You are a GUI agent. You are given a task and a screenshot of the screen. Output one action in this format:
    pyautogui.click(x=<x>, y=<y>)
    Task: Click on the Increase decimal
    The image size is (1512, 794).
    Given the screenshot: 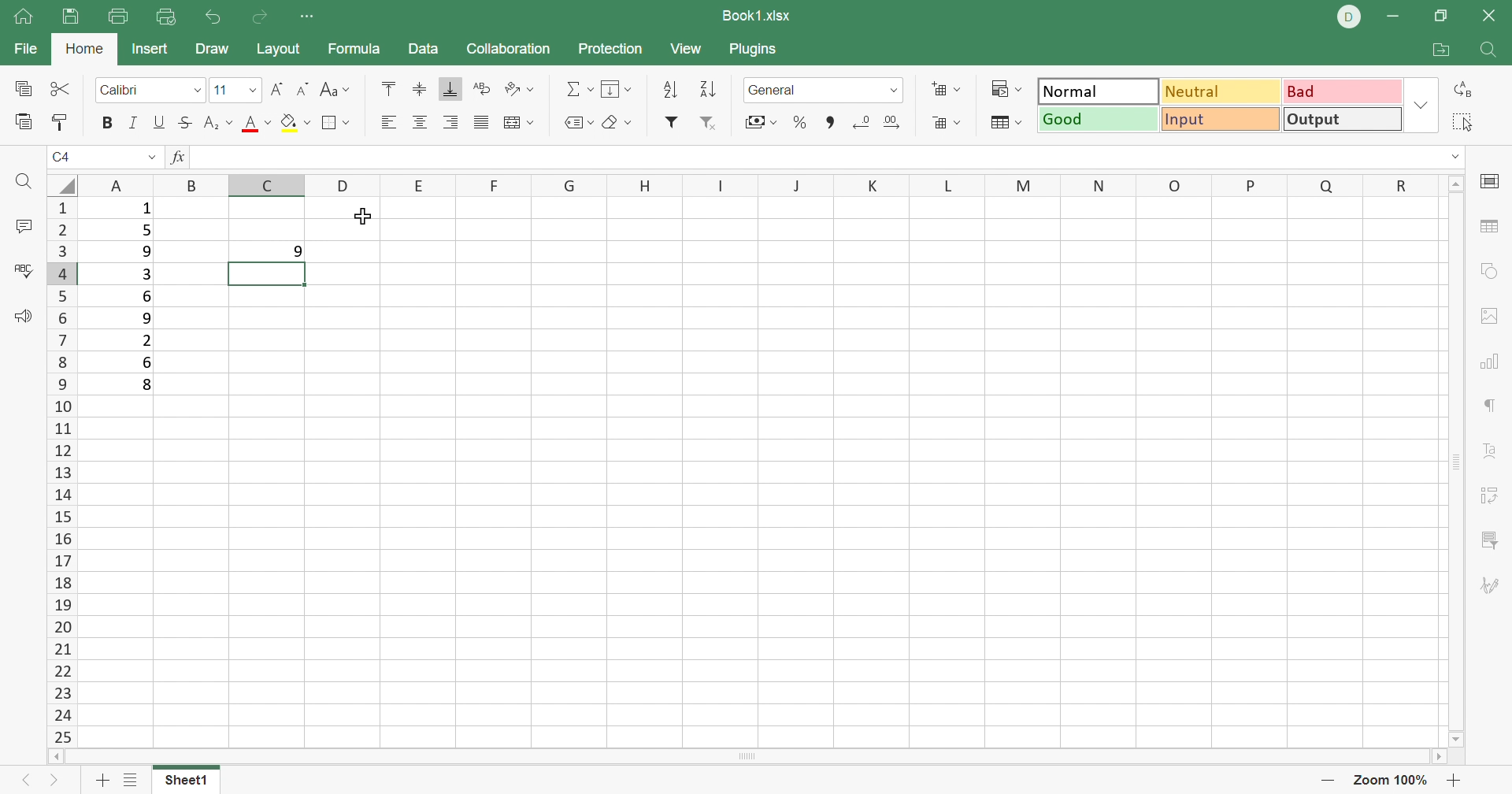 What is the action you would take?
    pyautogui.click(x=899, y=123)
    